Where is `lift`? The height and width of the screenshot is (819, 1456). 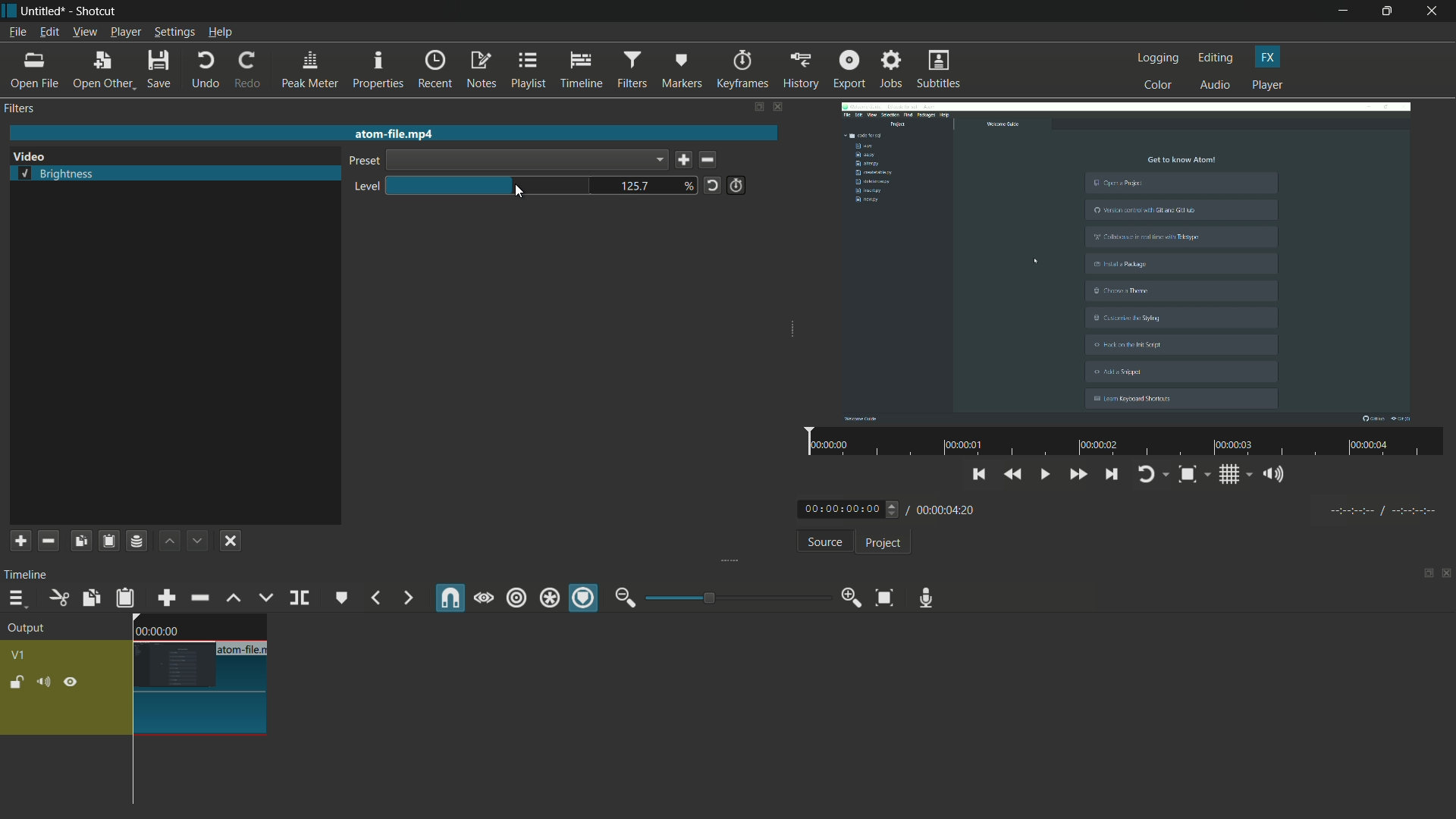
lift is located at coordinates (233, 598).